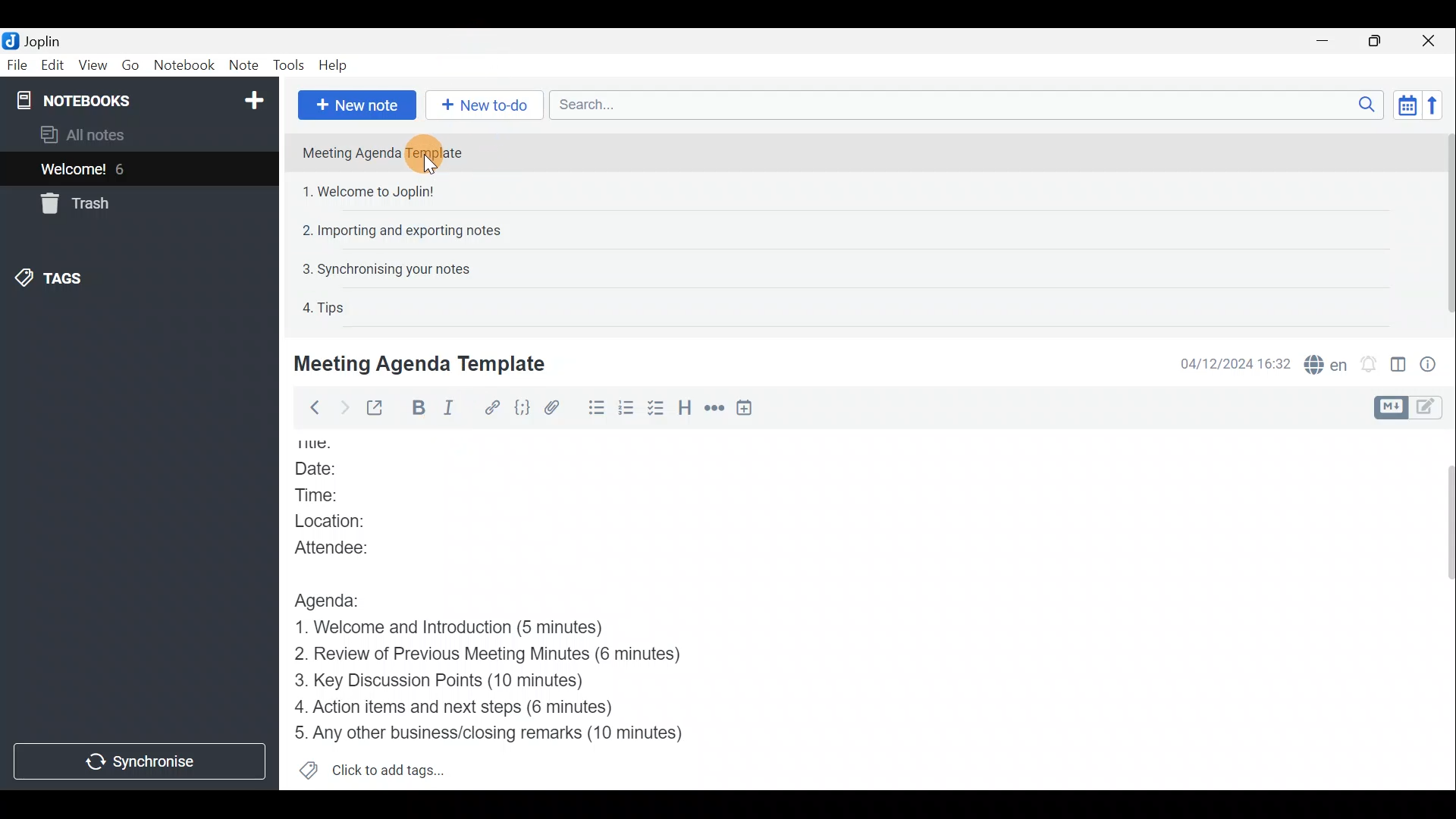 Image resolution: width=1456 pixels, height=819 pixels. I want to click on Set alarm, so click(1370, 364).